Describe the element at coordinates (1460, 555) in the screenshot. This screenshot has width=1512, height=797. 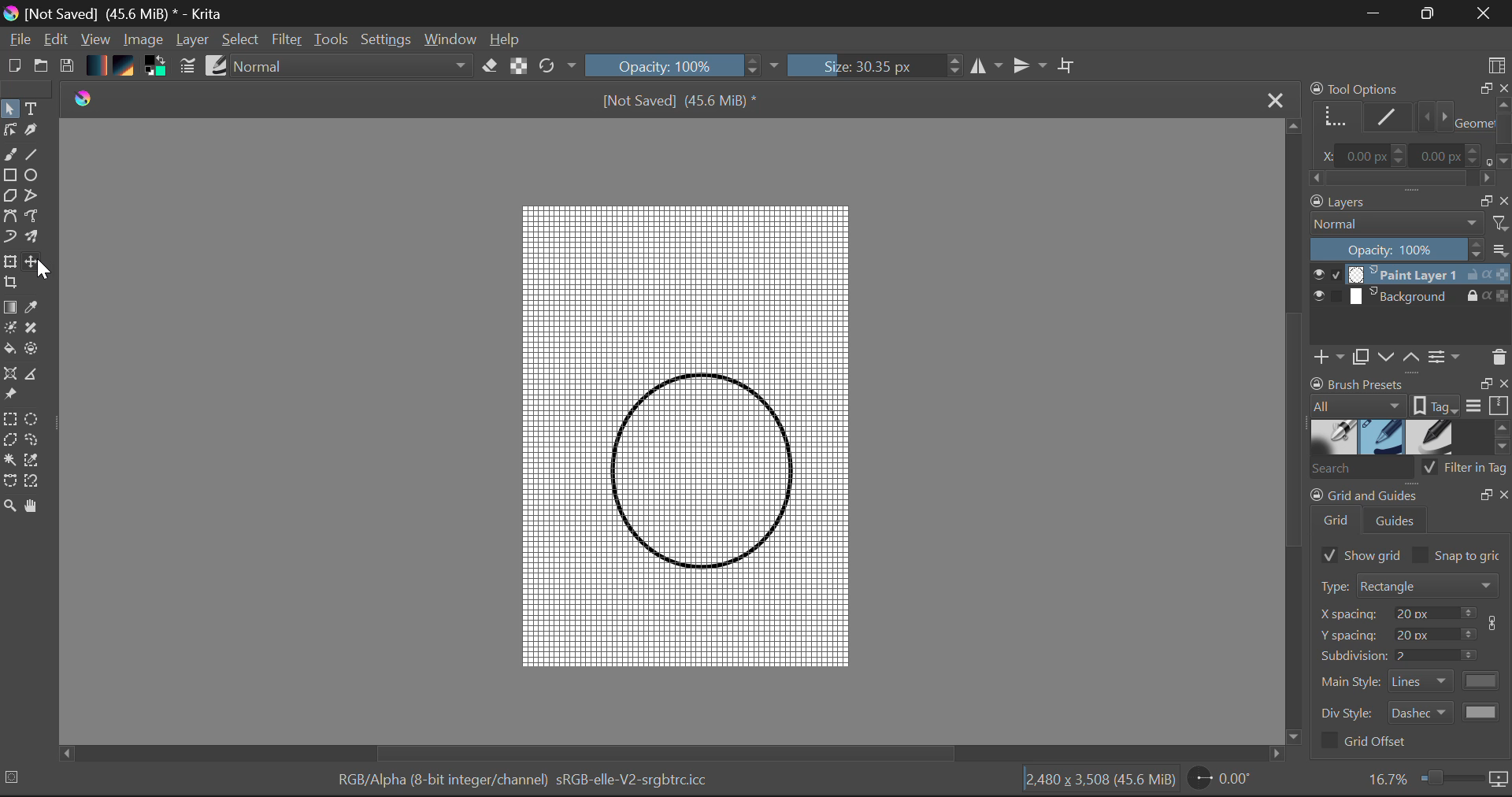
I see `Snap to grid` at that location.